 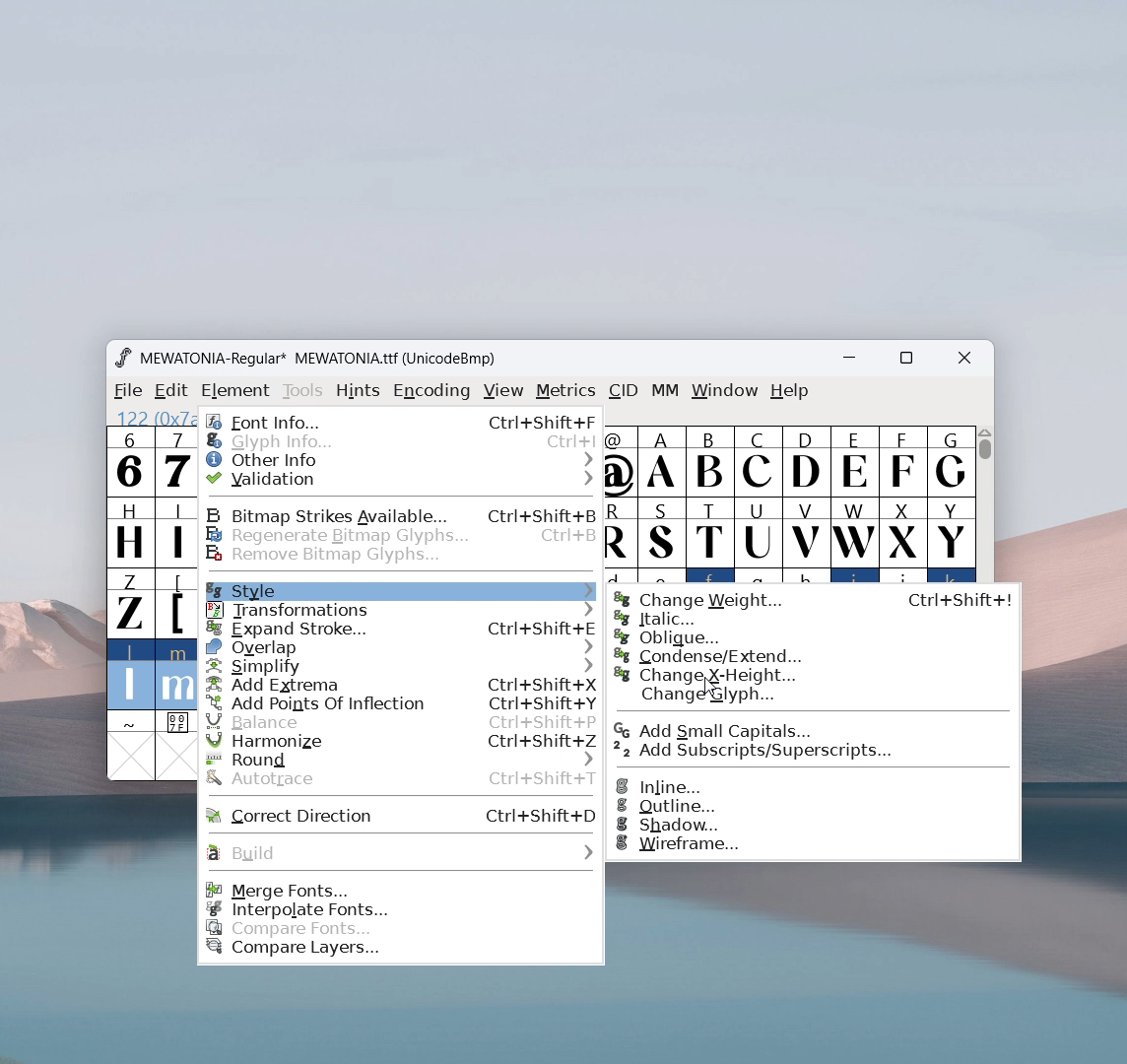 What do you see at coordinates (400, 889) in the screenshot?
I see `merge fonts` at bounding box center [400, 889].